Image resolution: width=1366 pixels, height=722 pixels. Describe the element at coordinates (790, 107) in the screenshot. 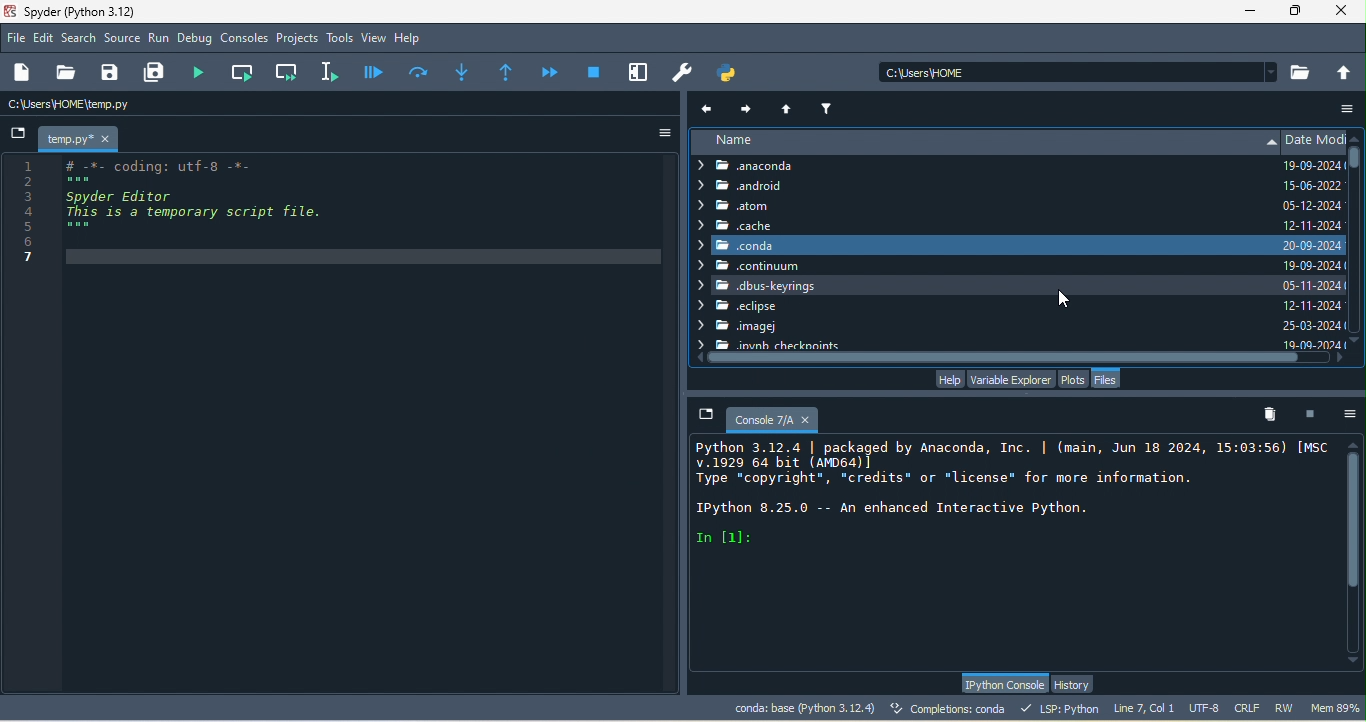

I see `parent` at that location.